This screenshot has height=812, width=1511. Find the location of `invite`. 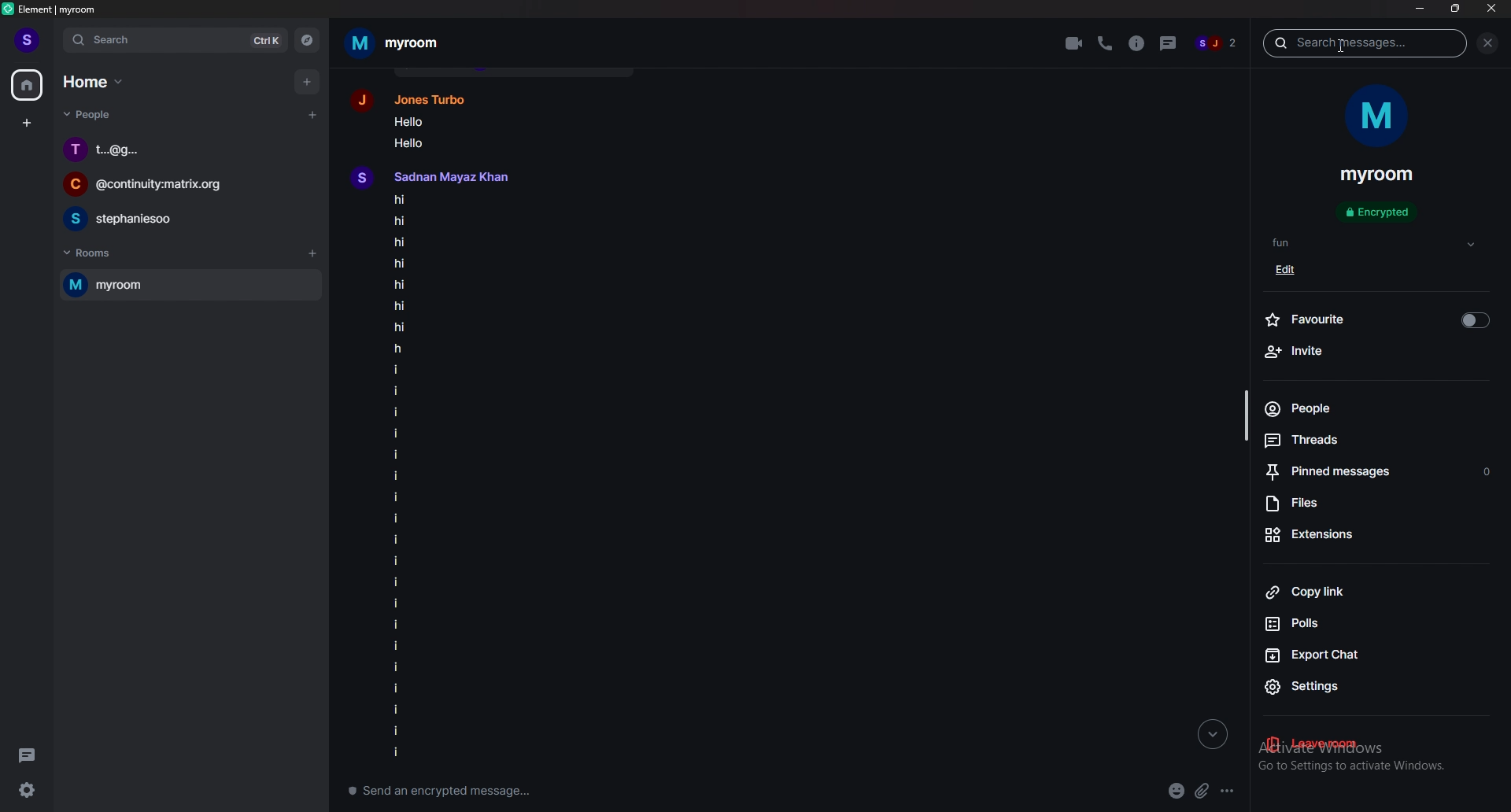

invite is located at coordinates (1362, 352).